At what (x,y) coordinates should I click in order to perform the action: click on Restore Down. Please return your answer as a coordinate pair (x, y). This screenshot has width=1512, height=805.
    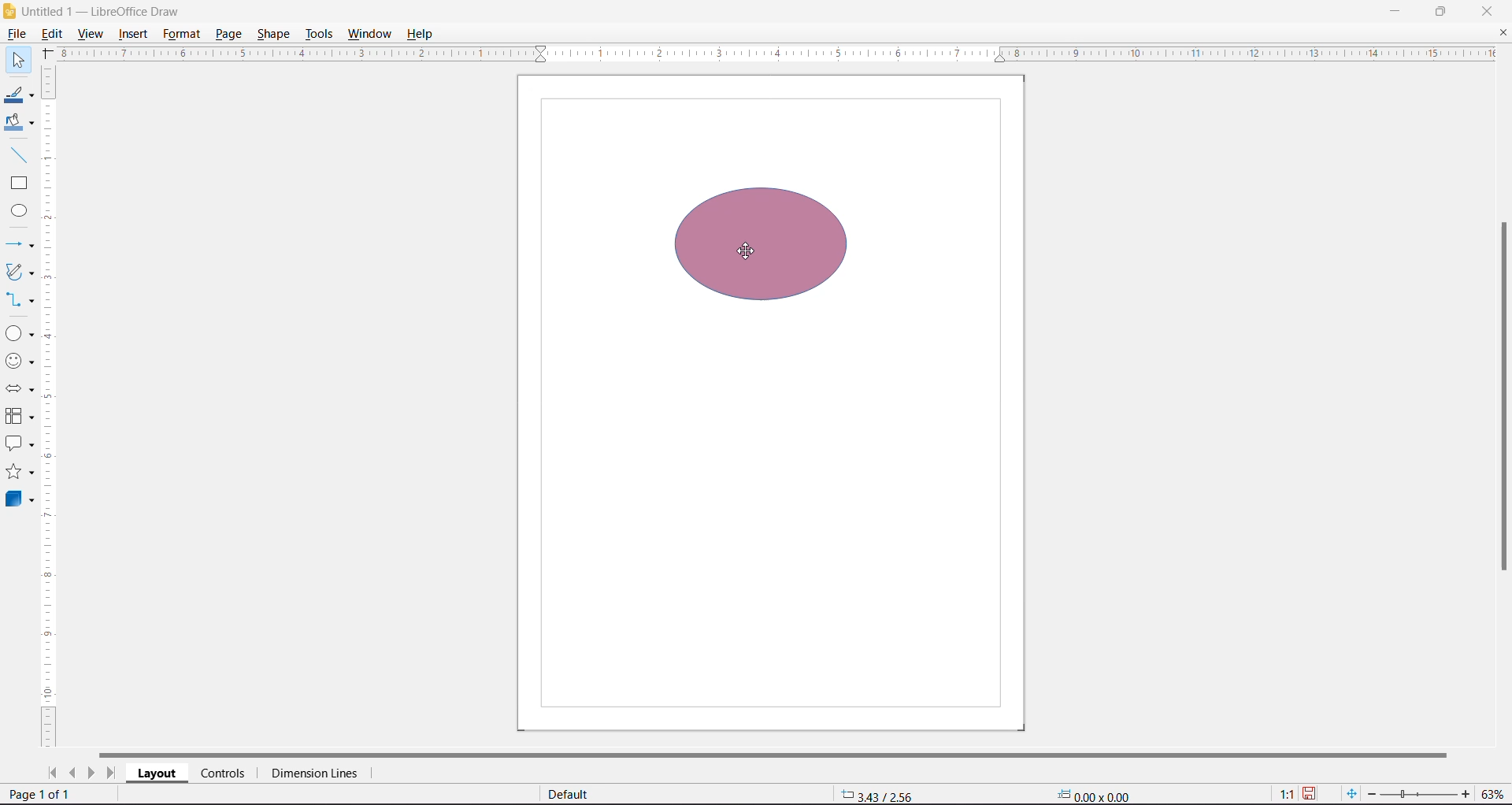
    Looking at the image, I should click on (1442, 12).